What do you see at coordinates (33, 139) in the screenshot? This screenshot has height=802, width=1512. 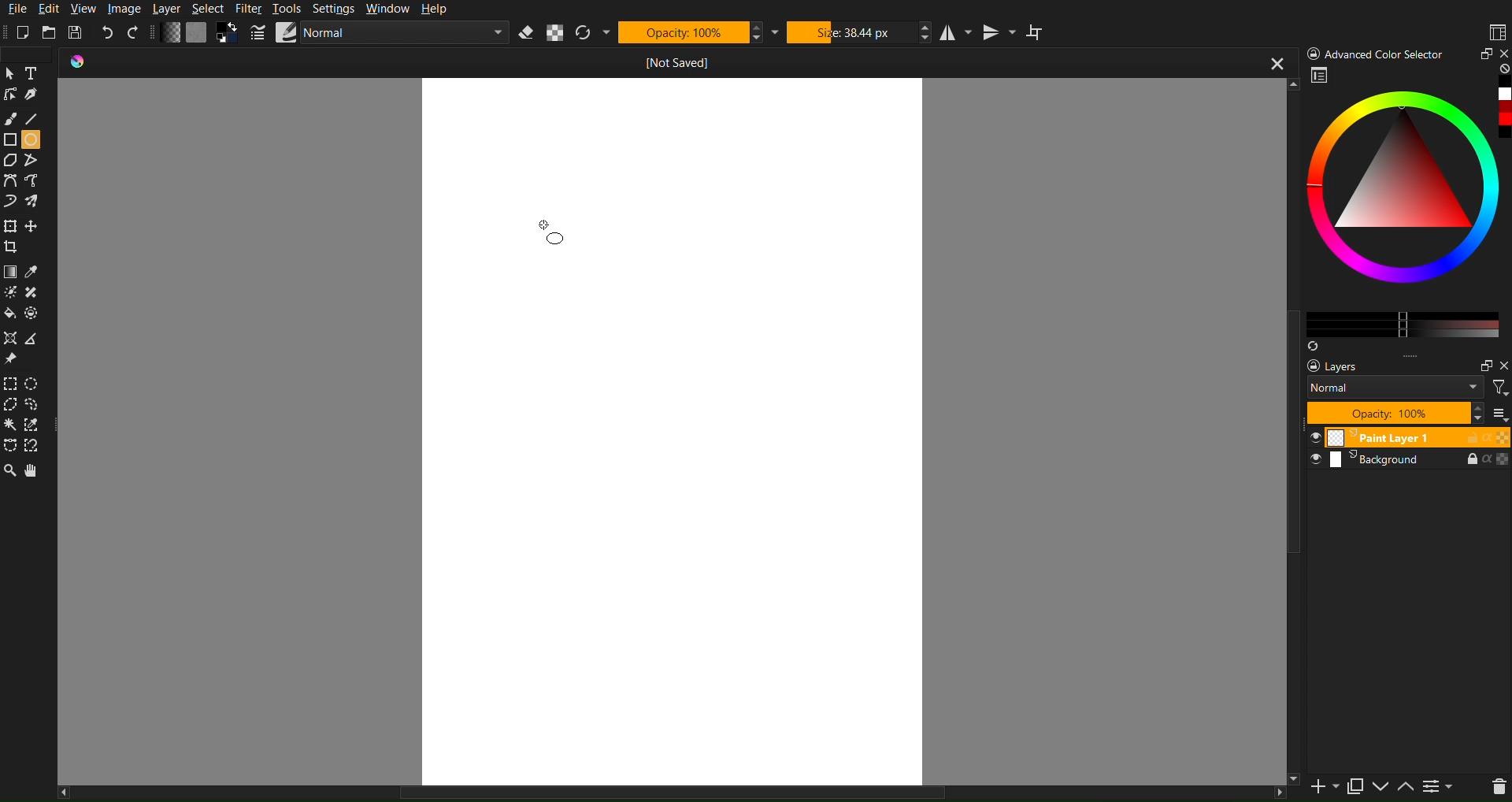 I see `Circle` at bounding box center [33, 139].